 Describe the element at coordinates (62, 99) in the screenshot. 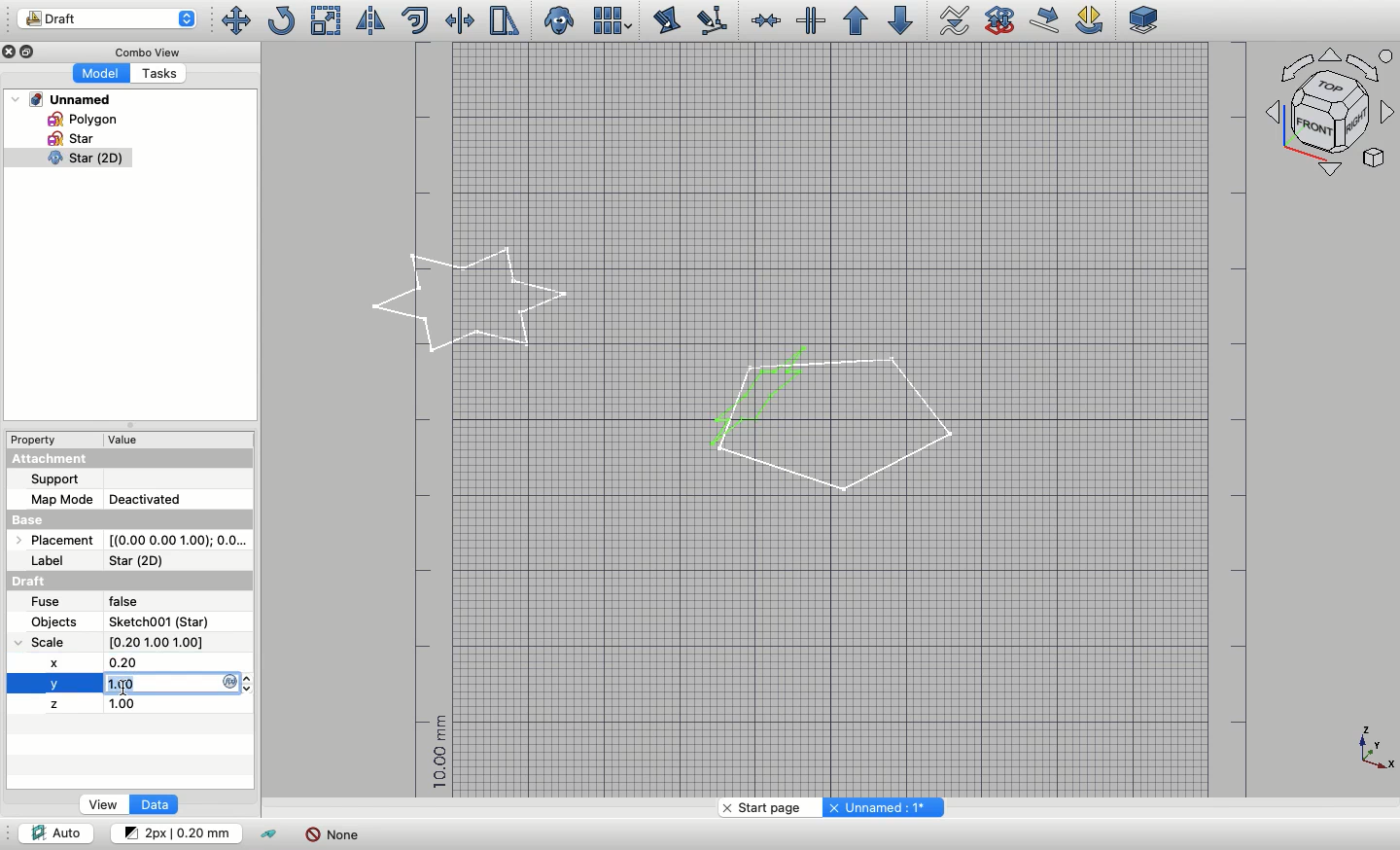

I see `Unnamed` at that location.